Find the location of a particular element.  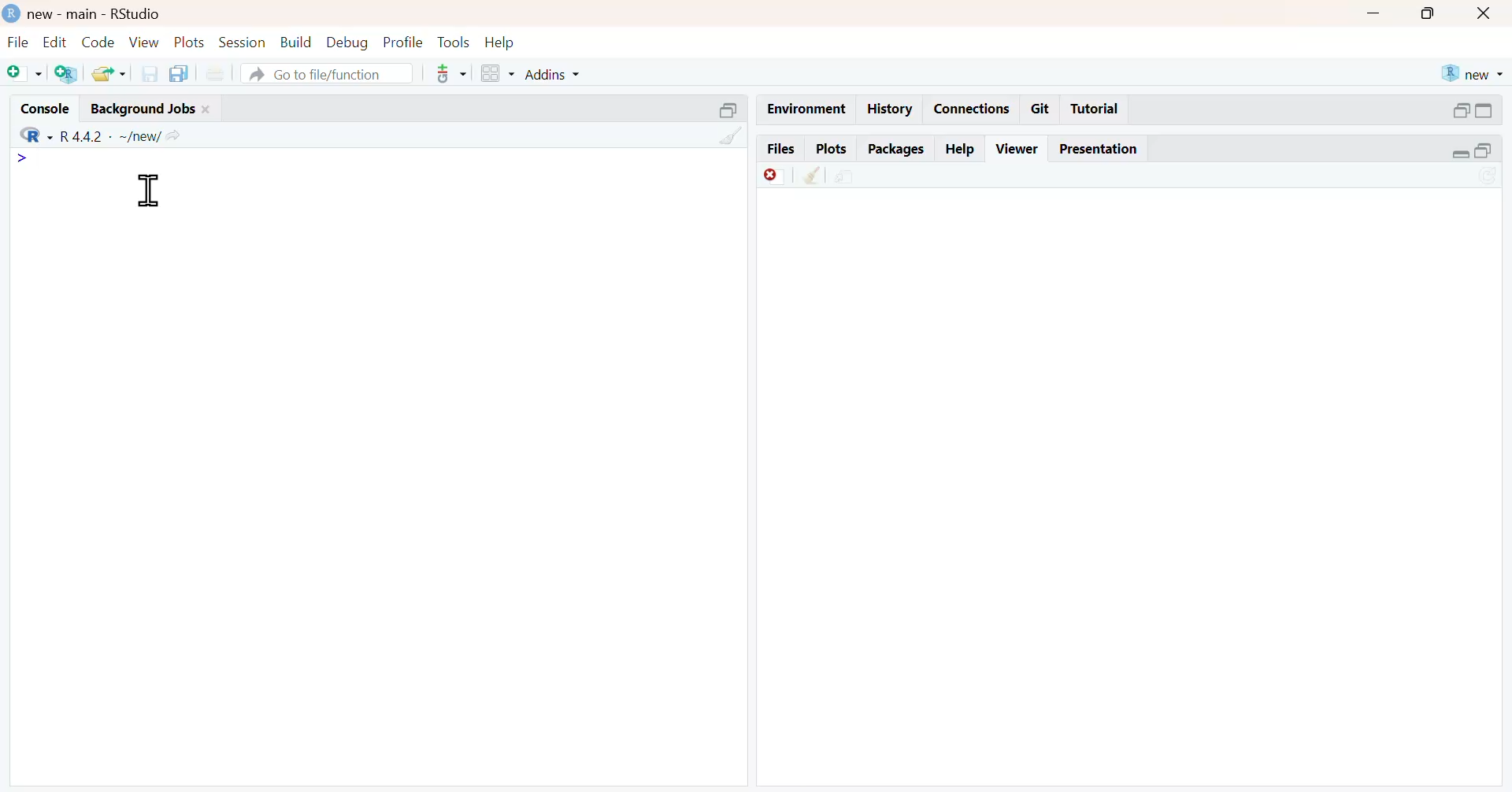

help is located at coordinates (503, 41).